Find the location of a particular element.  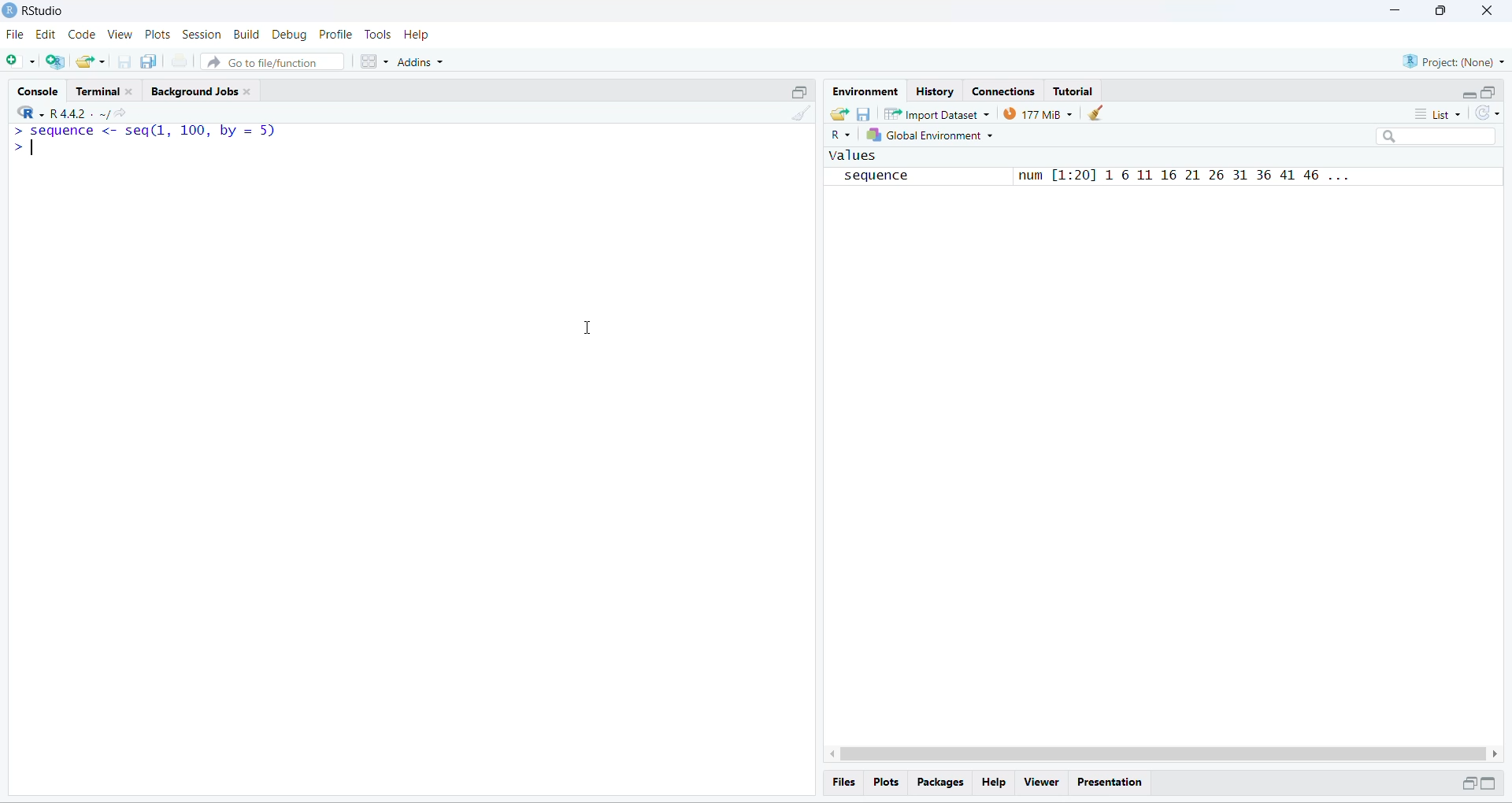

minimise is located at coordinates (1396, 9).